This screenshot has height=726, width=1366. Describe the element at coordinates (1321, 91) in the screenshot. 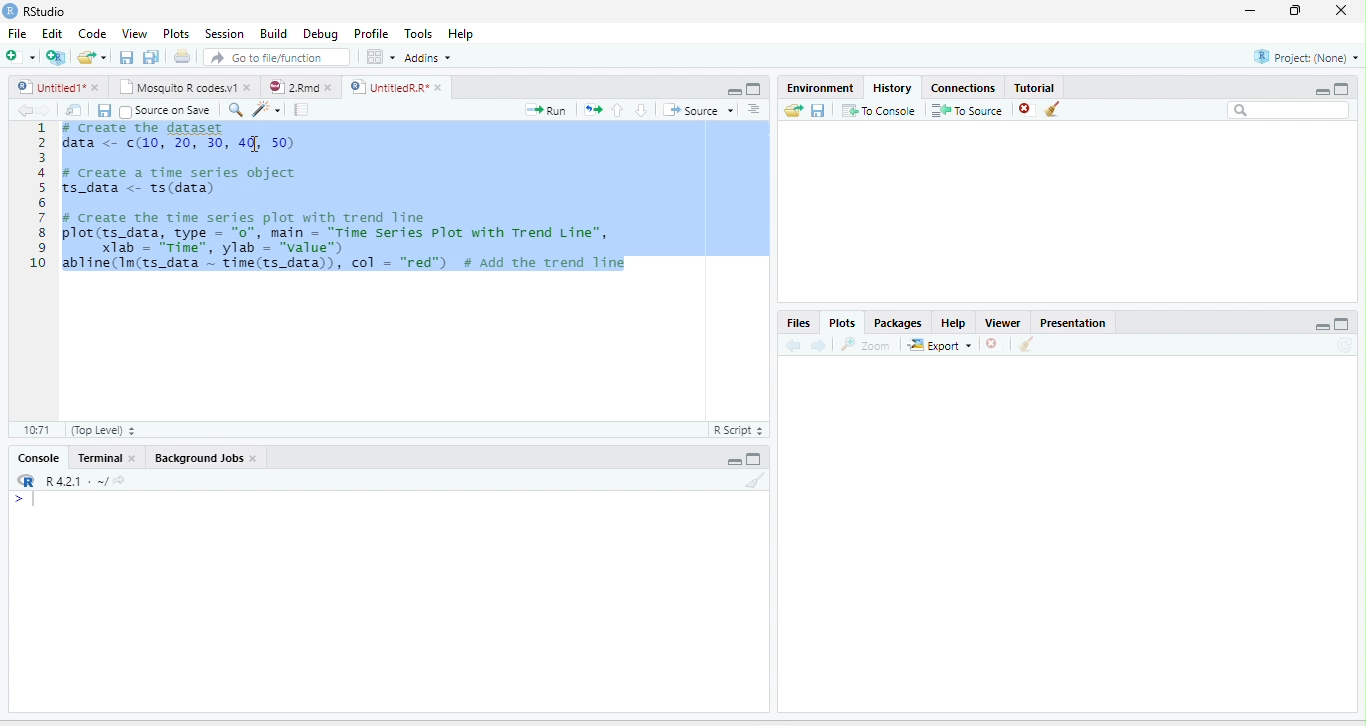

I see `Minimize` at that location.